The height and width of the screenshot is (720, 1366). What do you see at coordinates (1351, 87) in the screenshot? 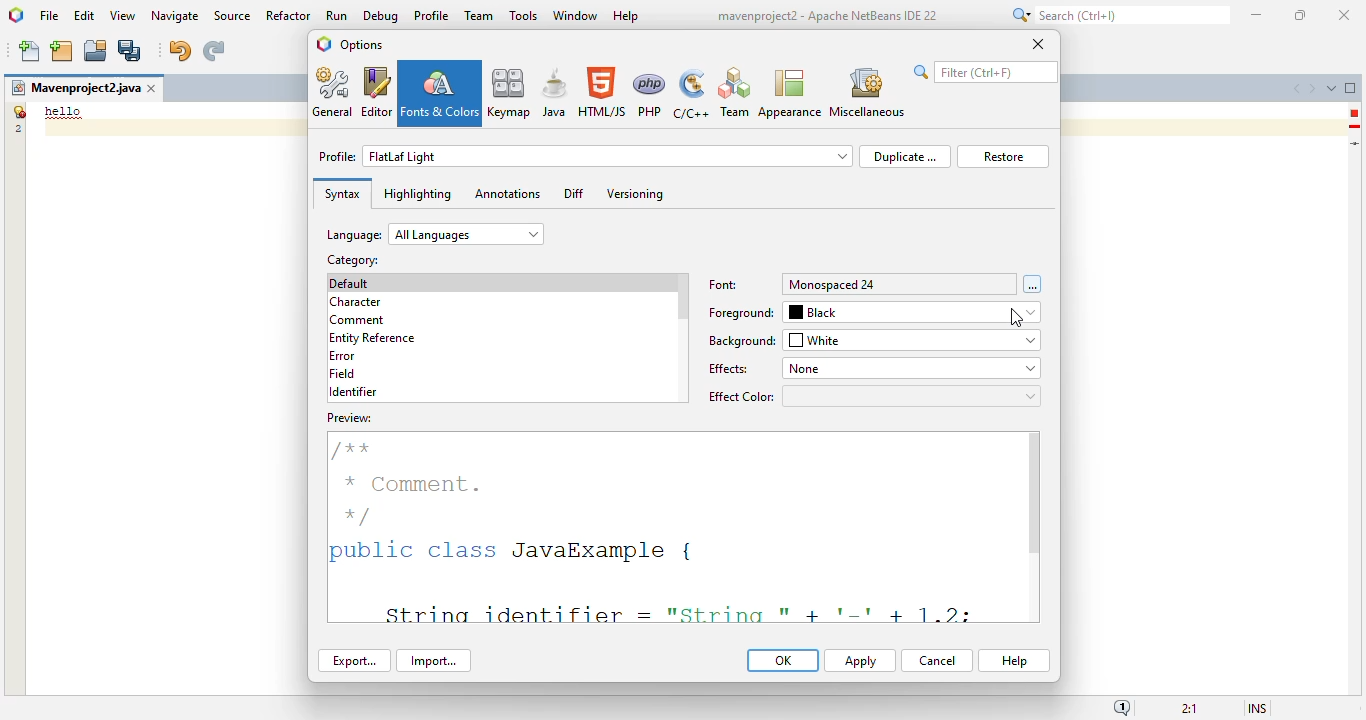
I see `maximize window` at bounding box center [1351, 87].